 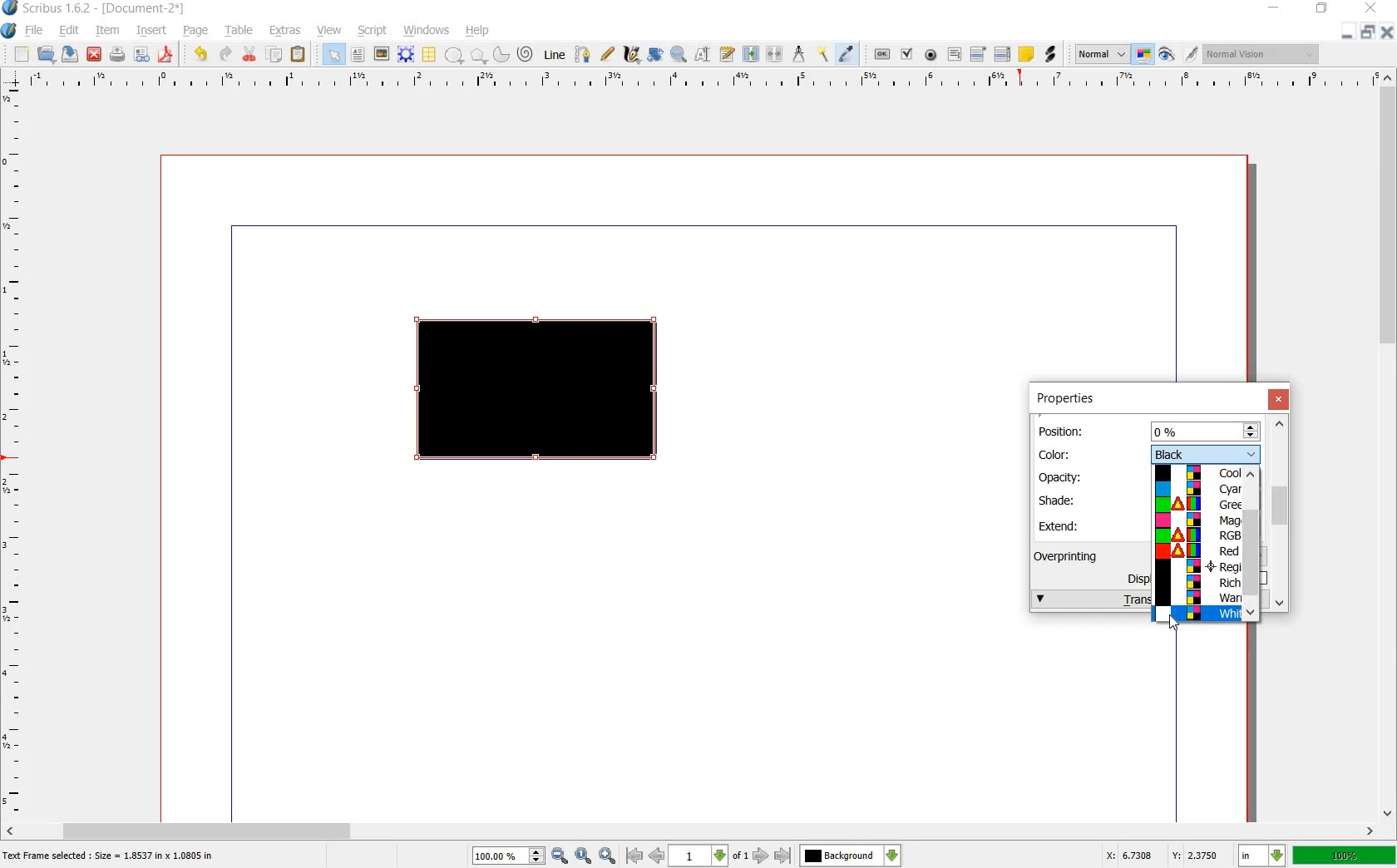 I want to click on shade, so click(x=1064, y=500).